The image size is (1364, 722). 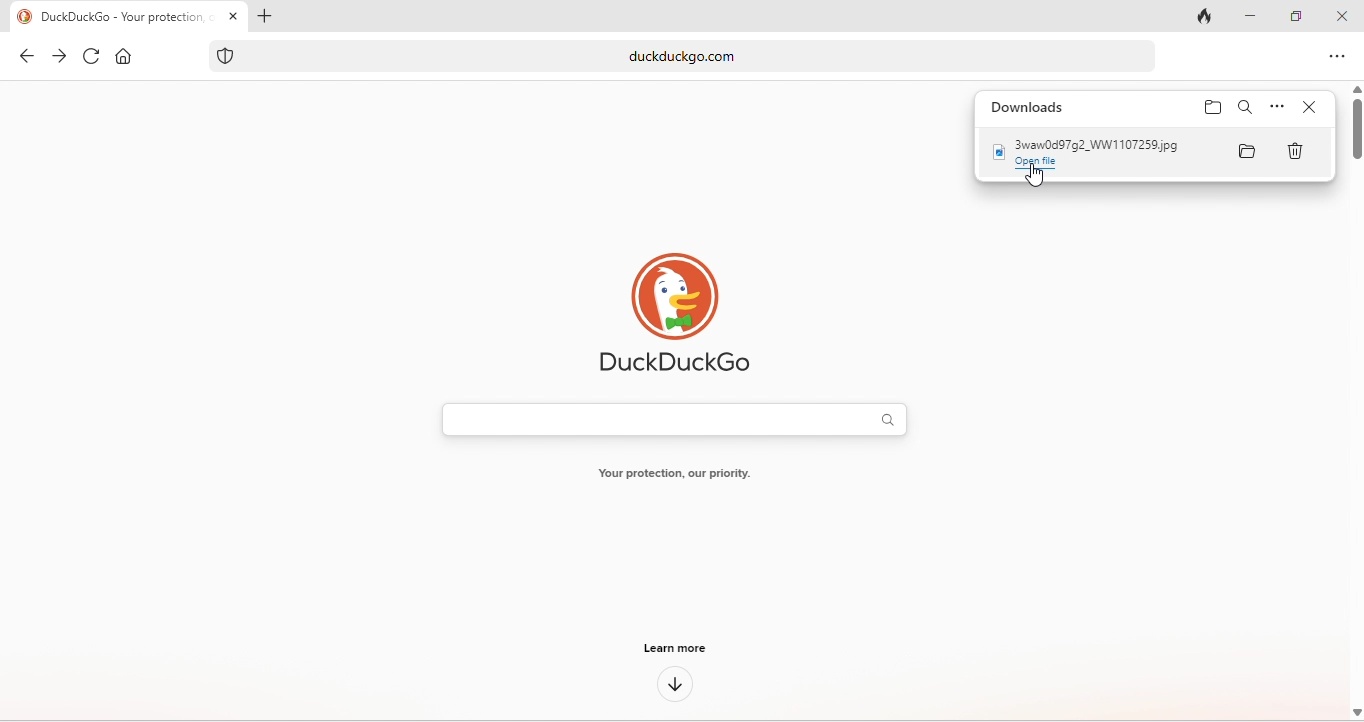 What do you see at coordinates (1355, 122) in the screenshot?
I see `vertical scroll bar` at bounding box center [1355, 122].